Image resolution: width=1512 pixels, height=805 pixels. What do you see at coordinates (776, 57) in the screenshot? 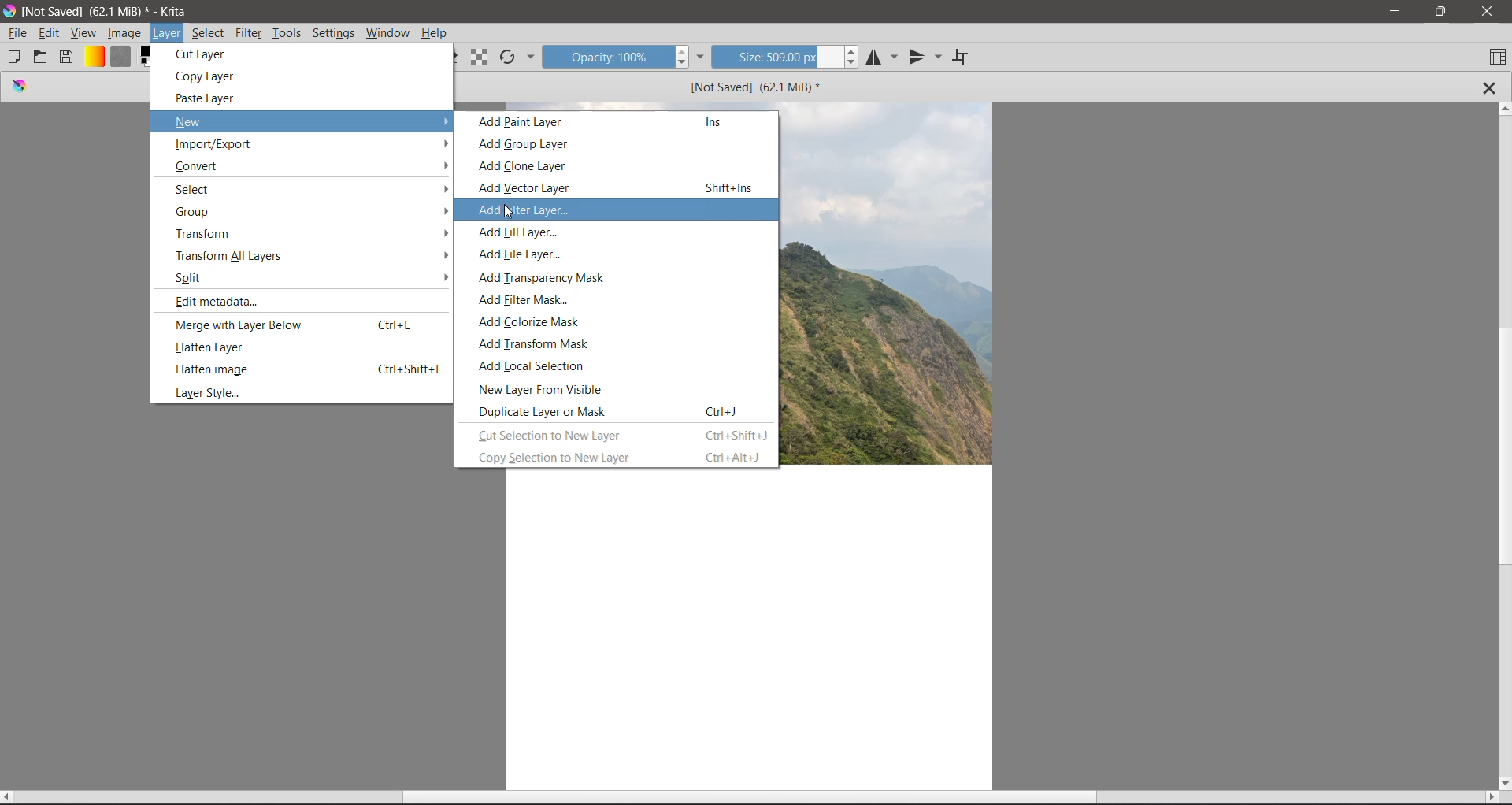
I see `Size` at bounding box center [776, 57].